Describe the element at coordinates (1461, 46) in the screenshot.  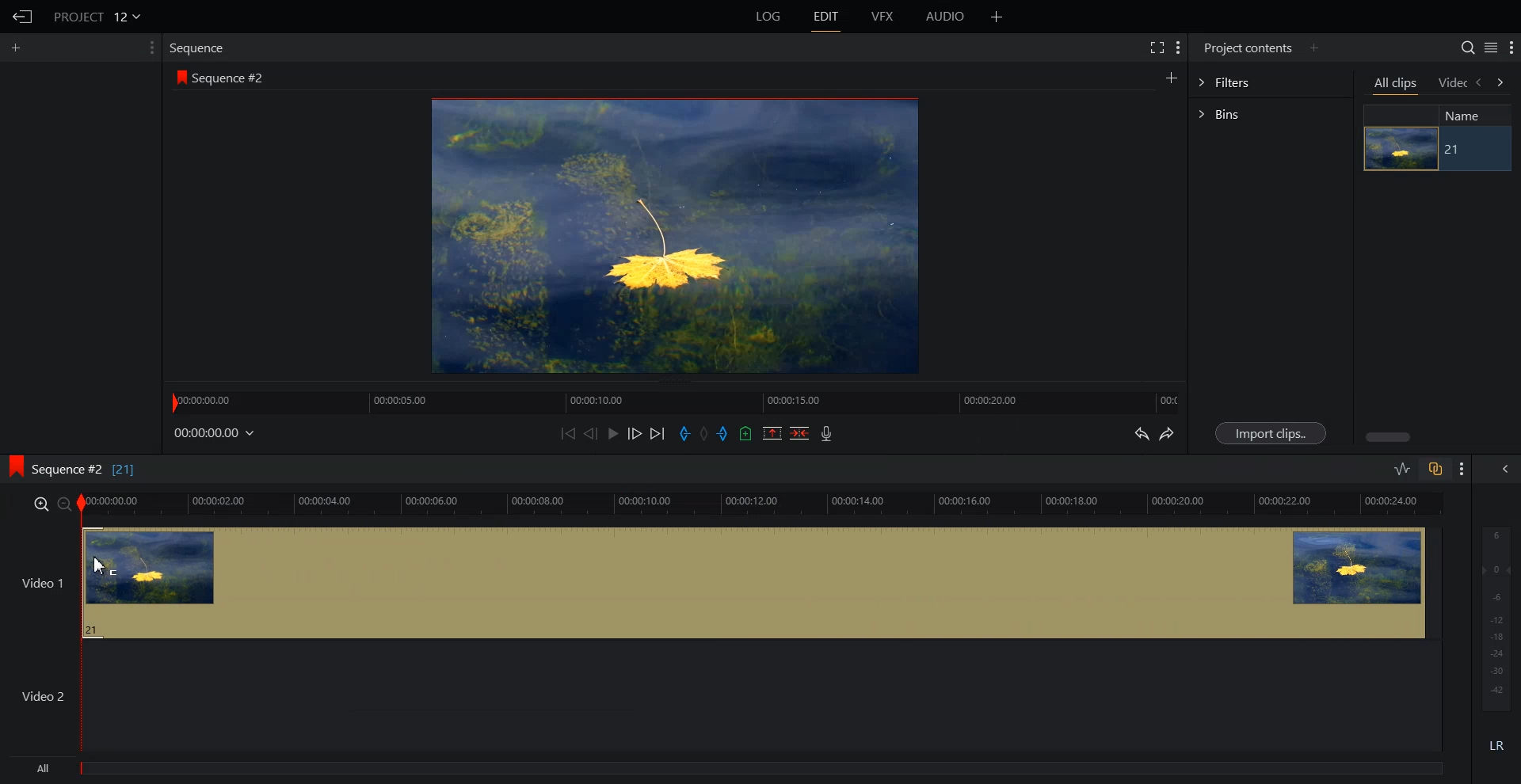
I see `Search` at that location.